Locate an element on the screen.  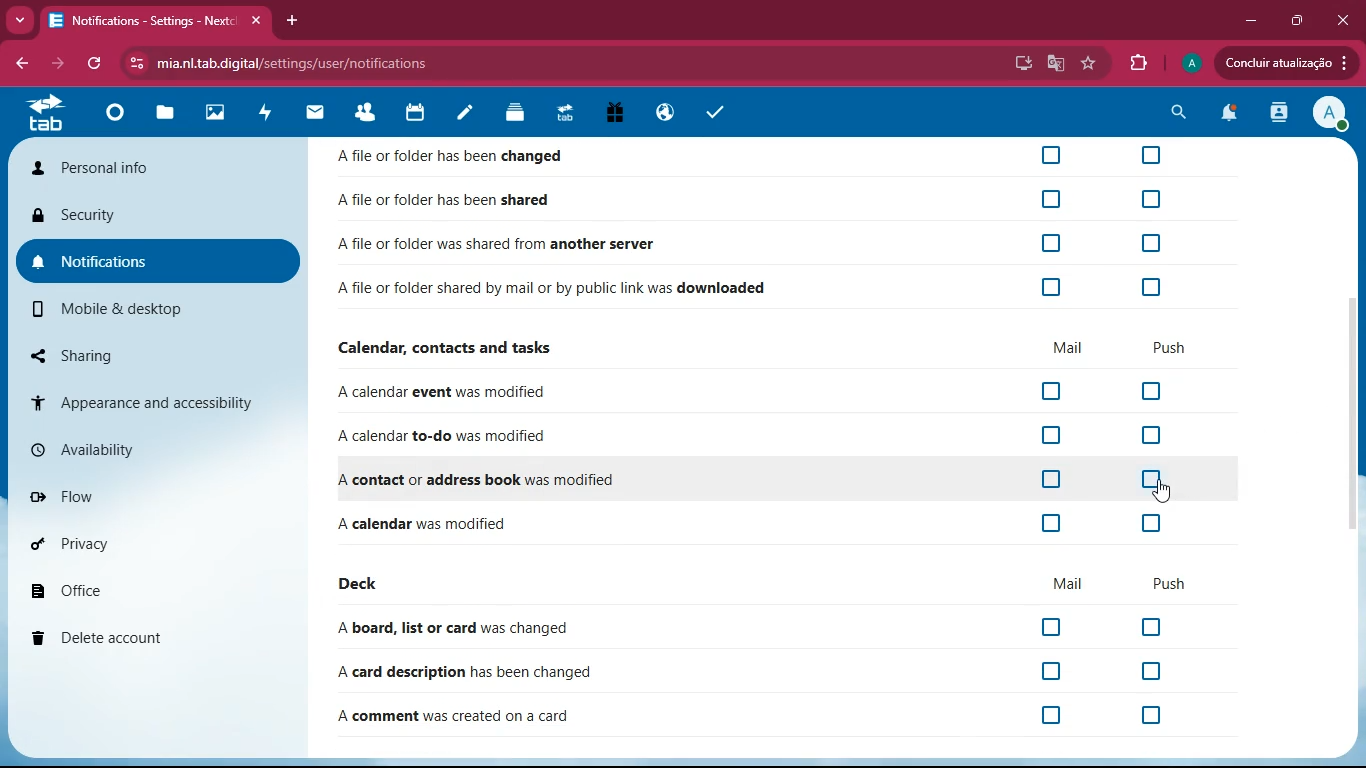
View site information is located at coordinates (137, 66).